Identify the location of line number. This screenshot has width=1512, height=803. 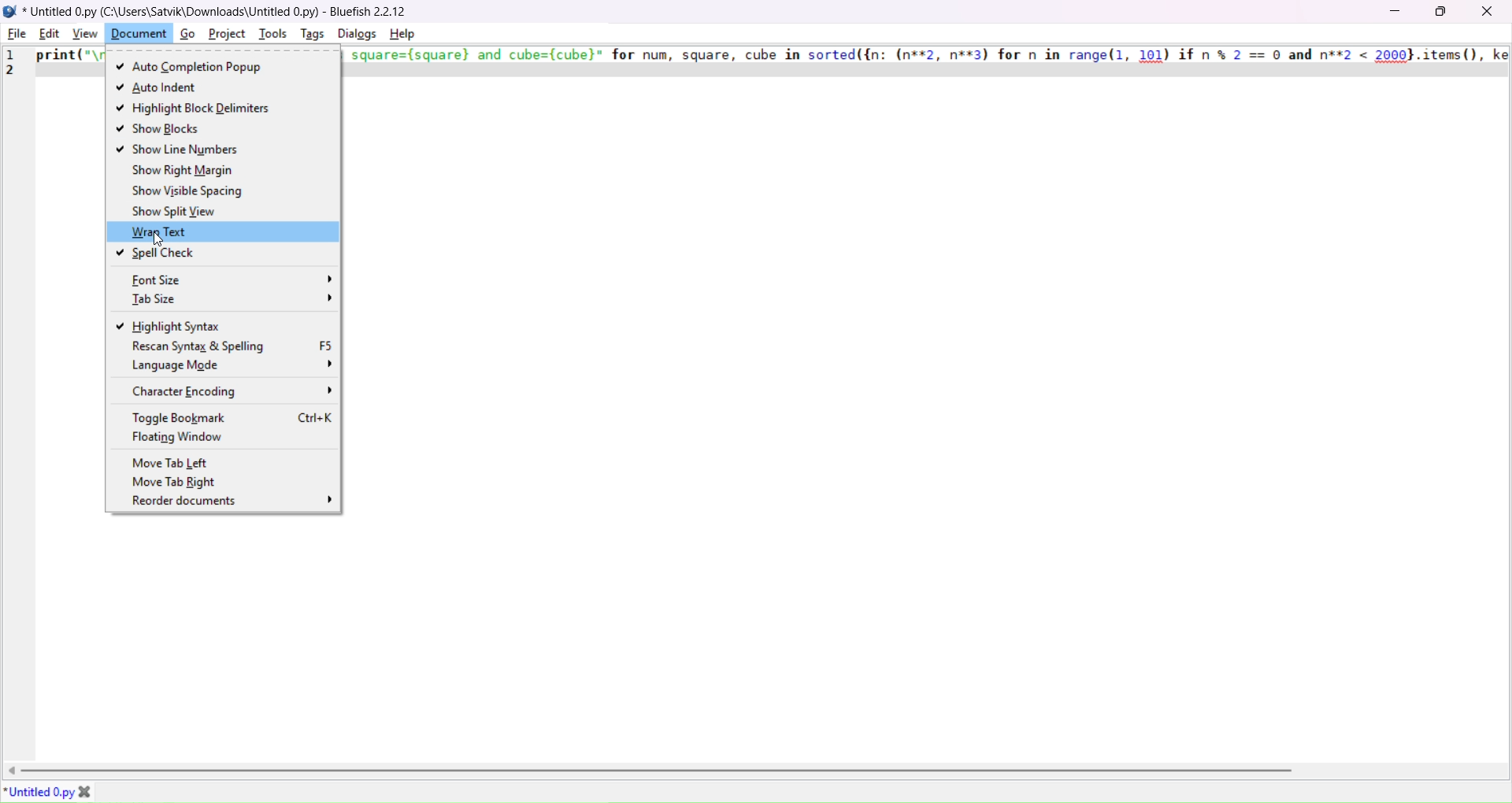
(11, 64).